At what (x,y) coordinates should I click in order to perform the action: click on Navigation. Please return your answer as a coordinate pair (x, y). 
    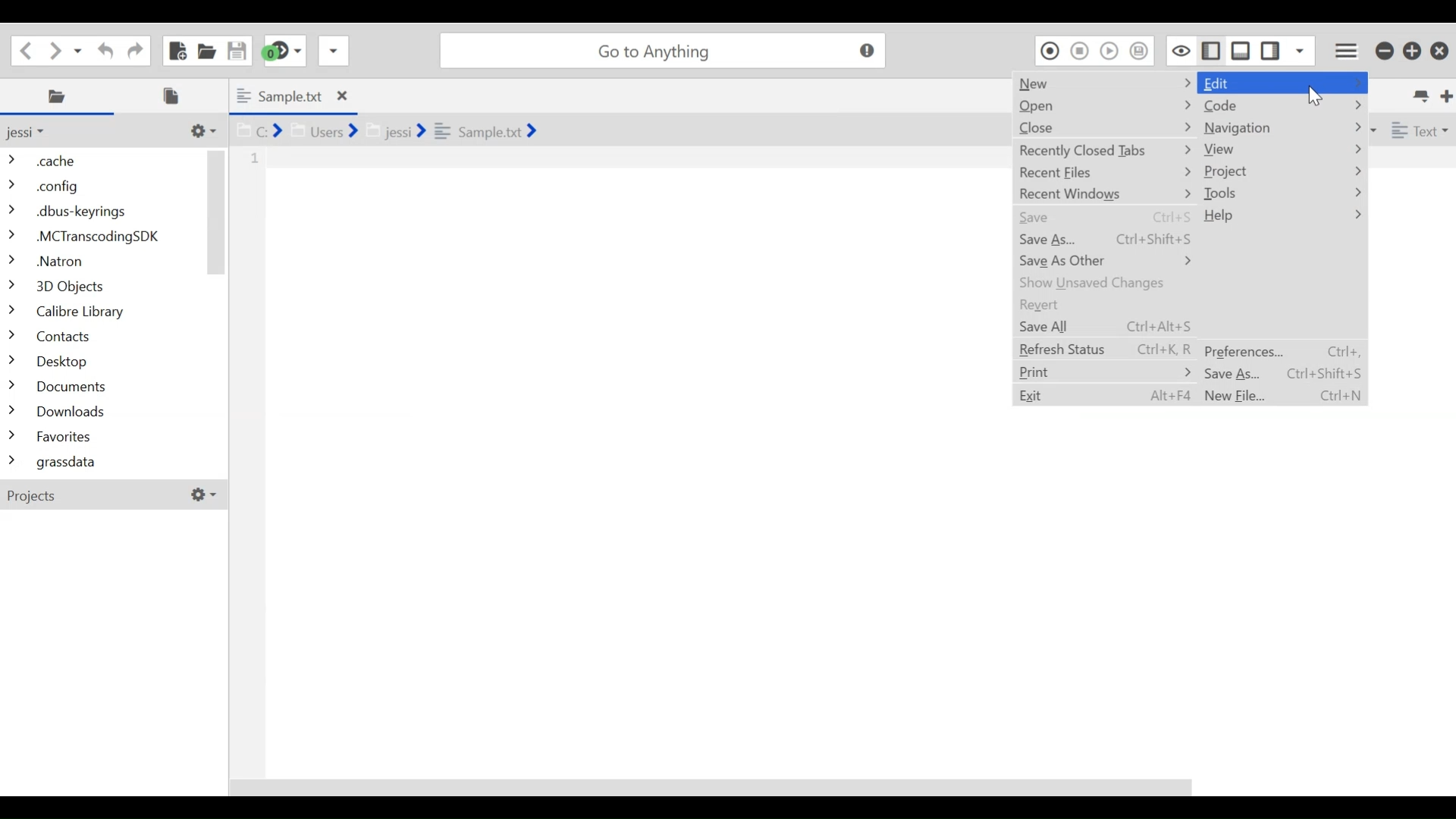
    Looking at the image, I should click on (1282, 128).